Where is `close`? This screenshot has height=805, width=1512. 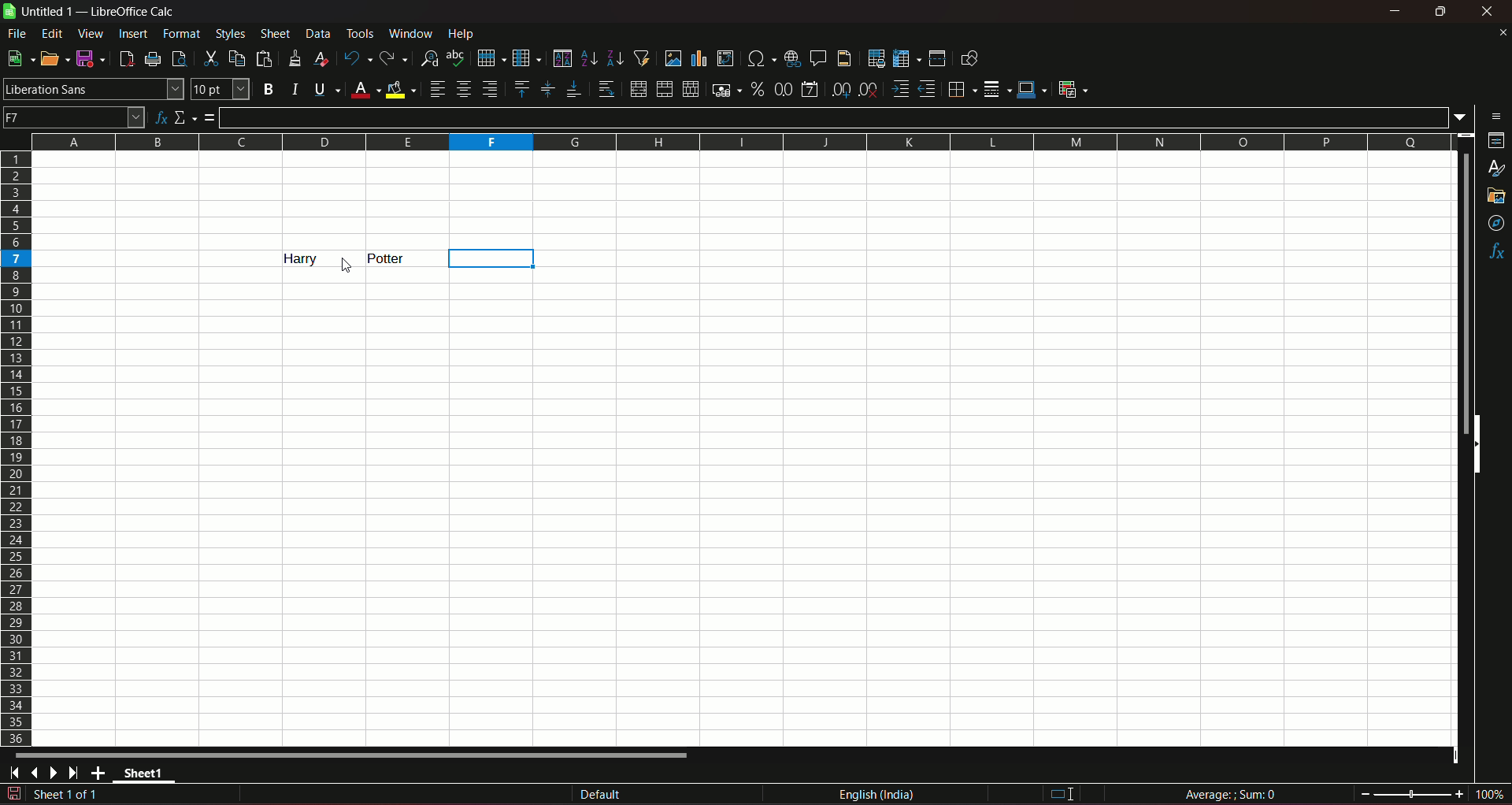
close is located at coordinates (1502, 32).